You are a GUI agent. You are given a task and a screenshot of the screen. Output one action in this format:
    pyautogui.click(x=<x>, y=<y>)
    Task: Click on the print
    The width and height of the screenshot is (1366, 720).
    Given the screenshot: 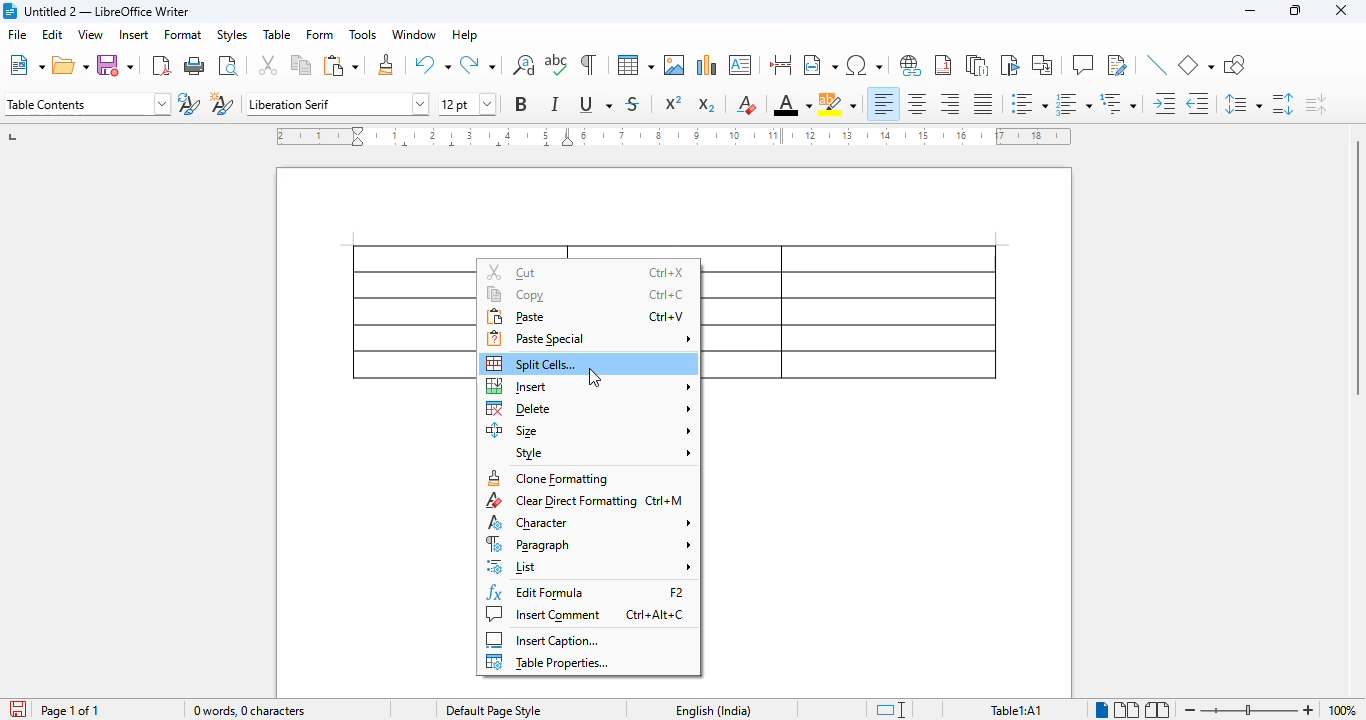 What is the action you would take?
    pyautogui.click(x=194, y=66)
    